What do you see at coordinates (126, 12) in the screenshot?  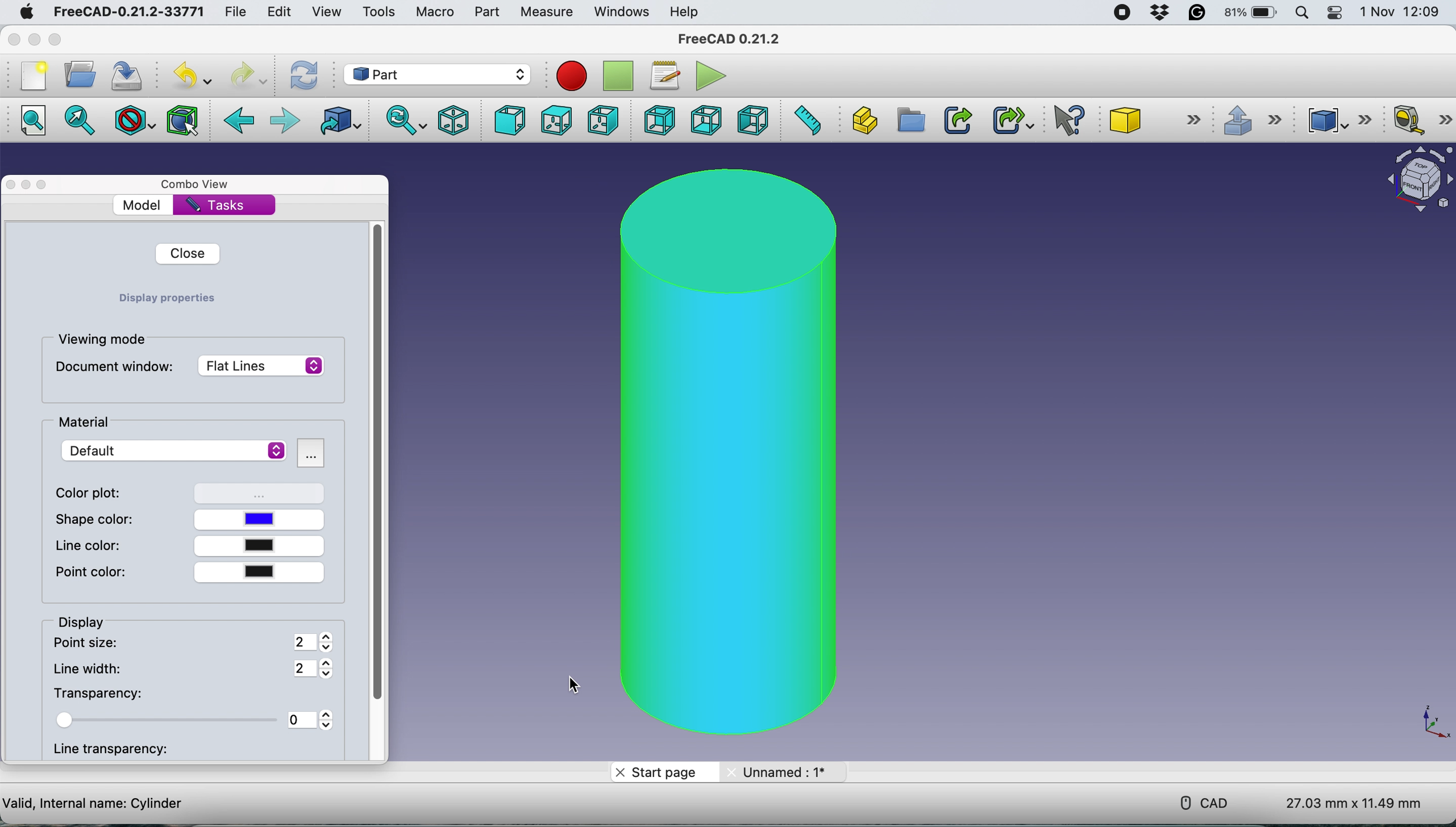 I see `freecad` at bounding box center [126, 12].